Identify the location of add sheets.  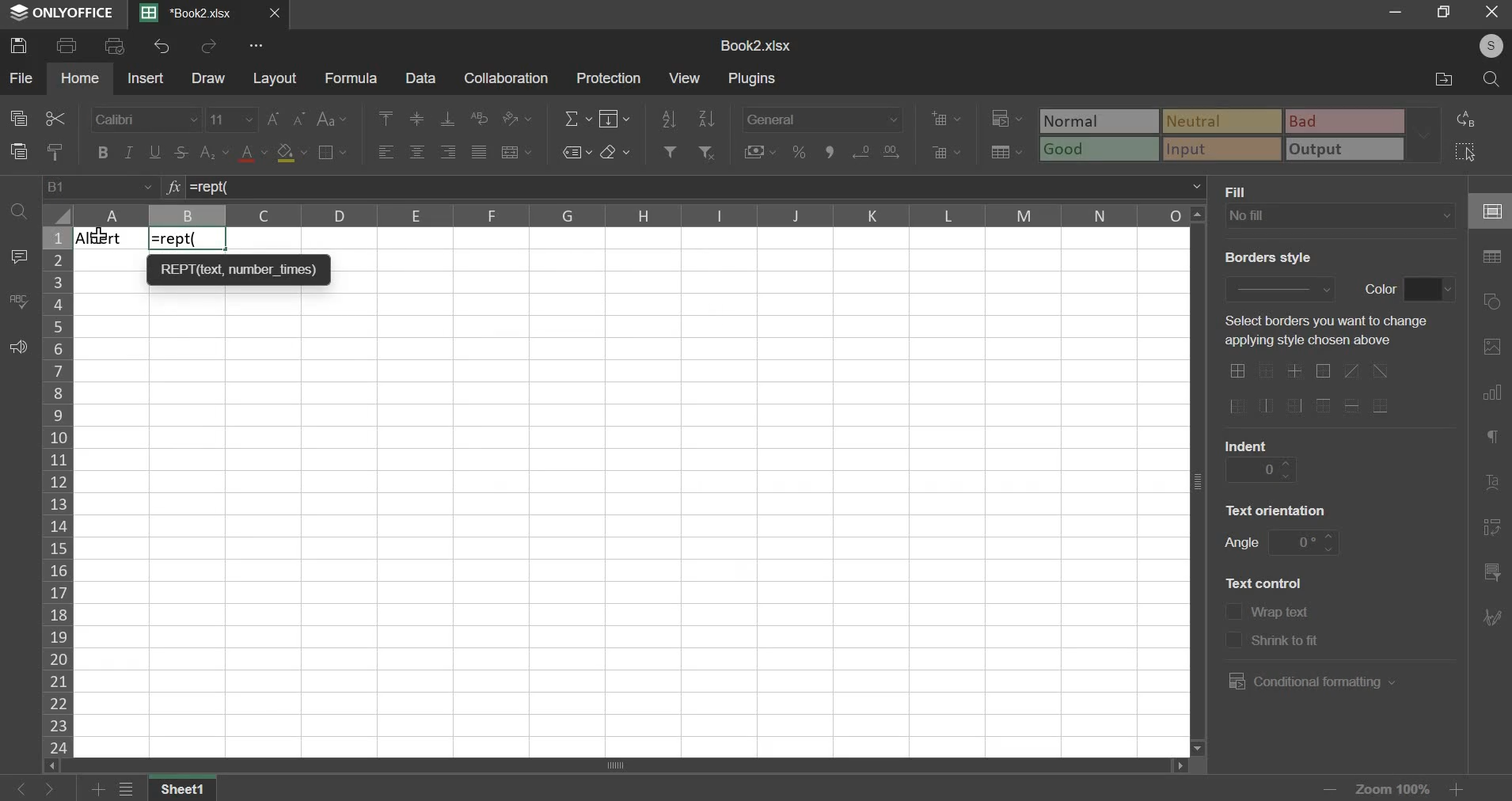
(93, 790).